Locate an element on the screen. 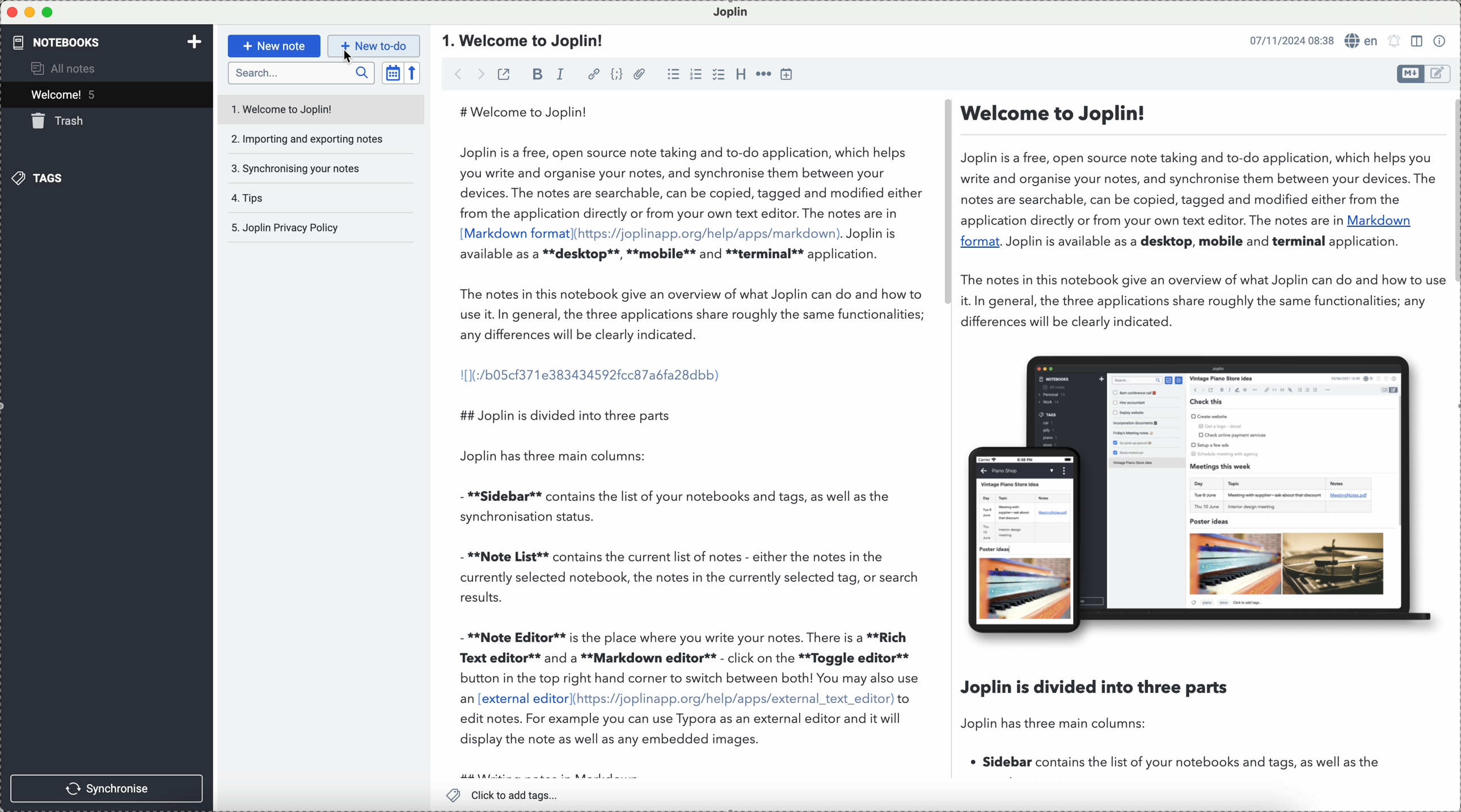  new to-do button is located at coordinates (374, 46).